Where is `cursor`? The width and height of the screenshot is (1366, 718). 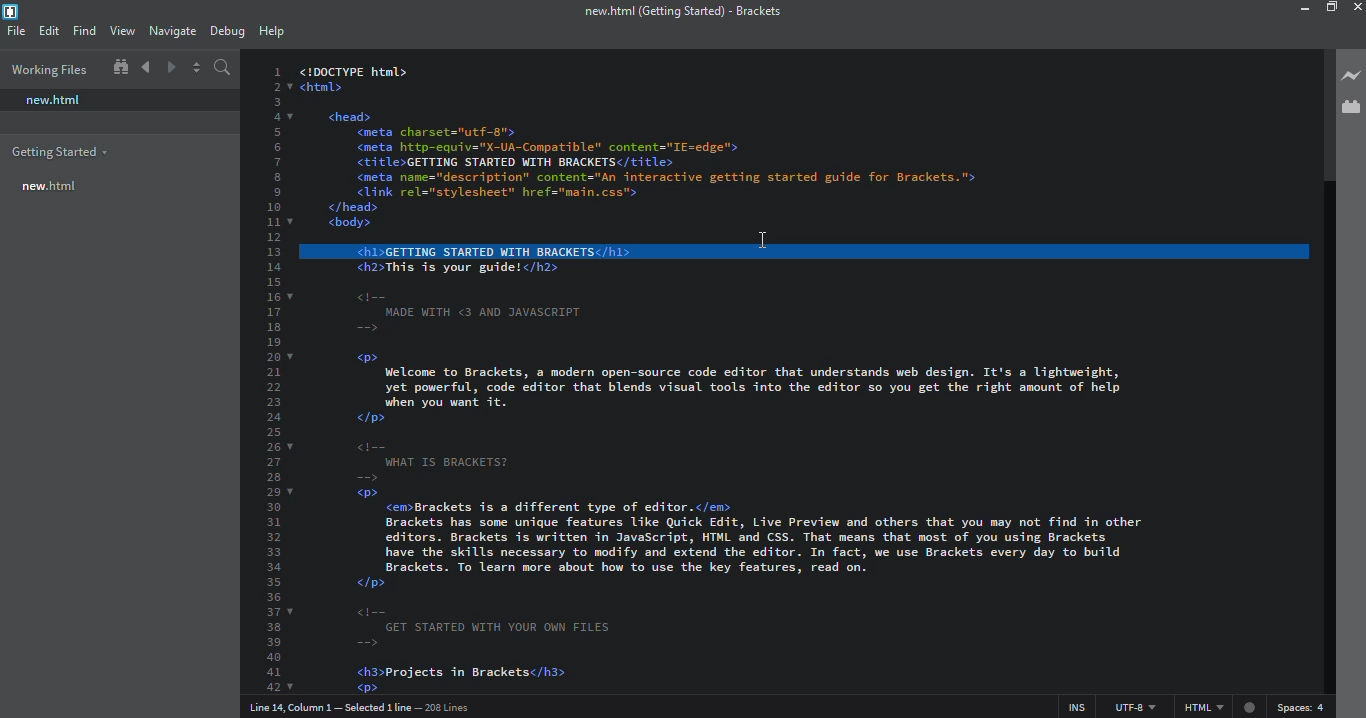
cursor is located at coordinates (761, 239).